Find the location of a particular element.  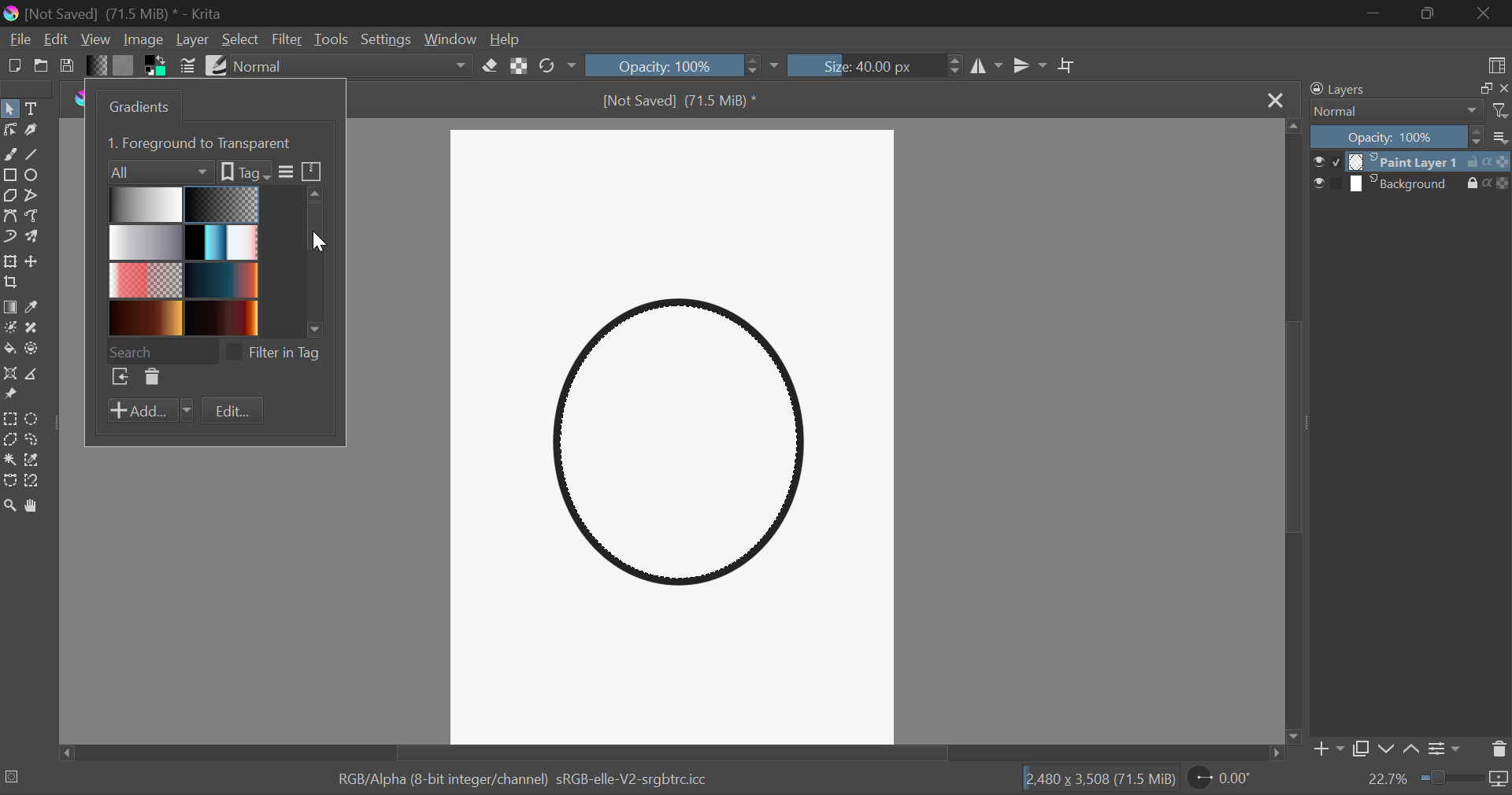

checkbox is located at coordinates (1329, 183).